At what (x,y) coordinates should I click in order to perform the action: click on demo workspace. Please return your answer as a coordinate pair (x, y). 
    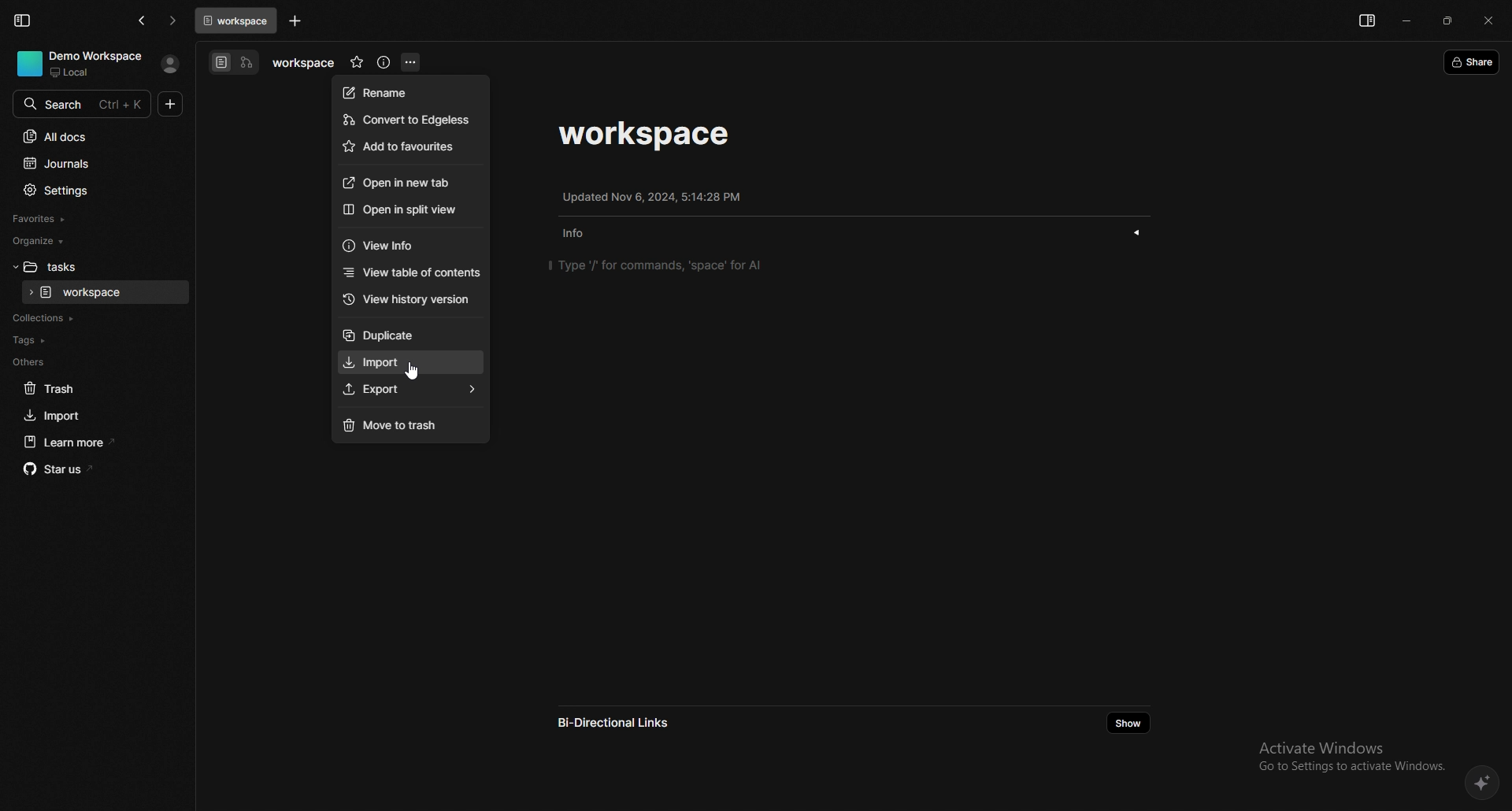
    Looking at the image, I should click on (83, 63).